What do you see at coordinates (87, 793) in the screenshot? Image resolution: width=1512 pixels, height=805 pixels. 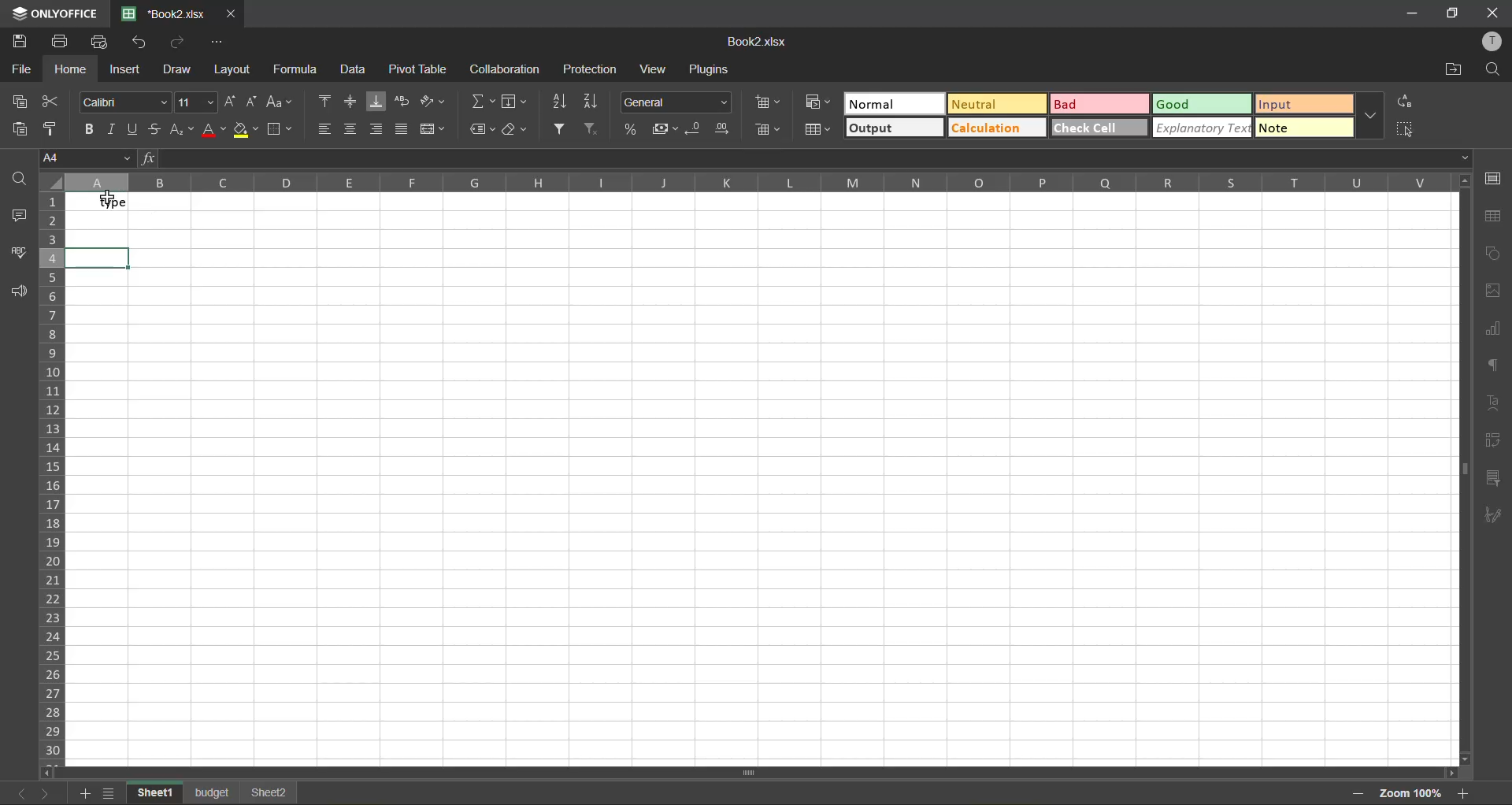 I see `add sheet` at bounding box center [87, 793].